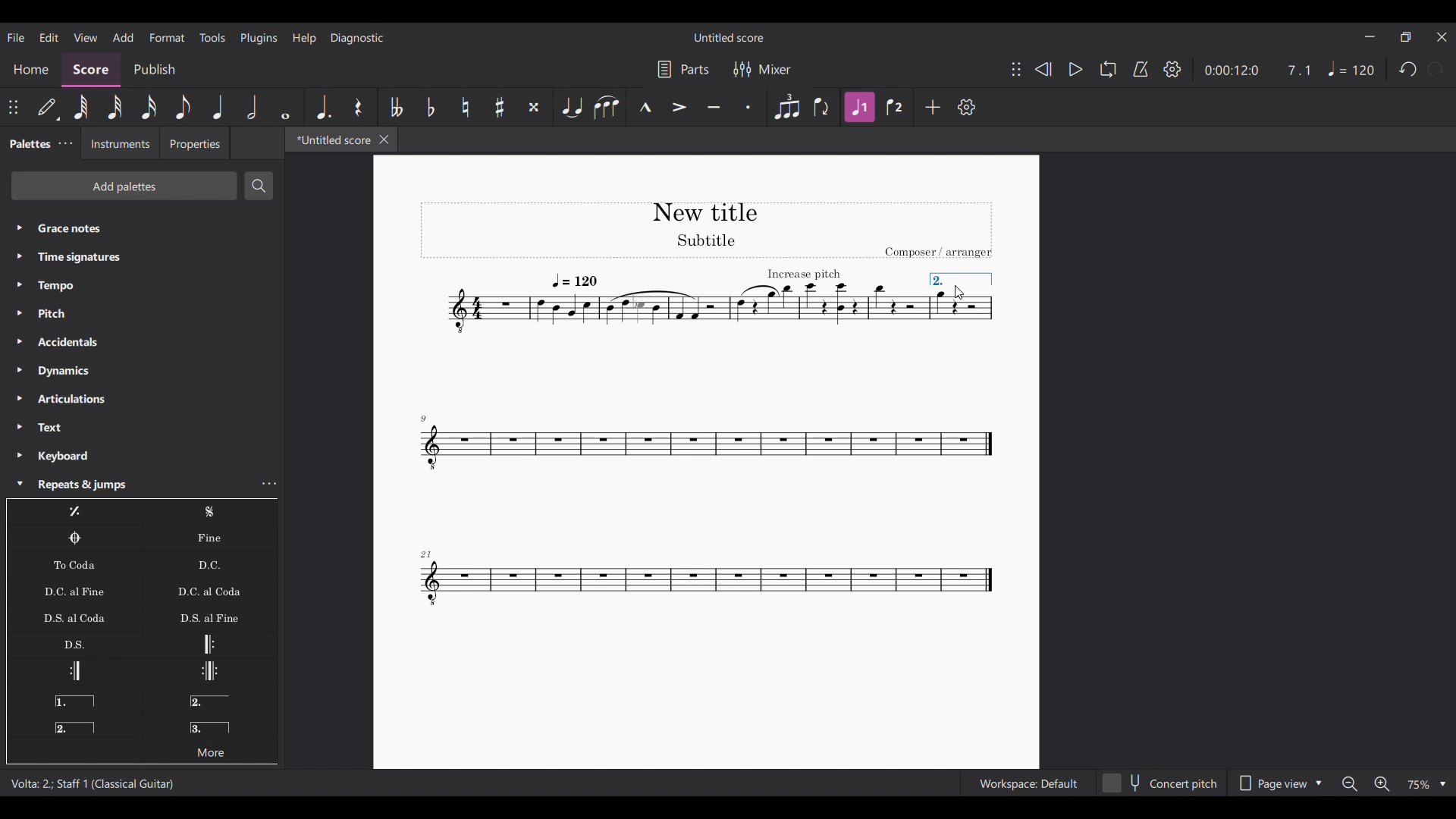 The image size is (1456, 819). What do you see at coordinates (142, 456) in the screenshot?
I see `Keyboard` at bounding box center [142, 456].